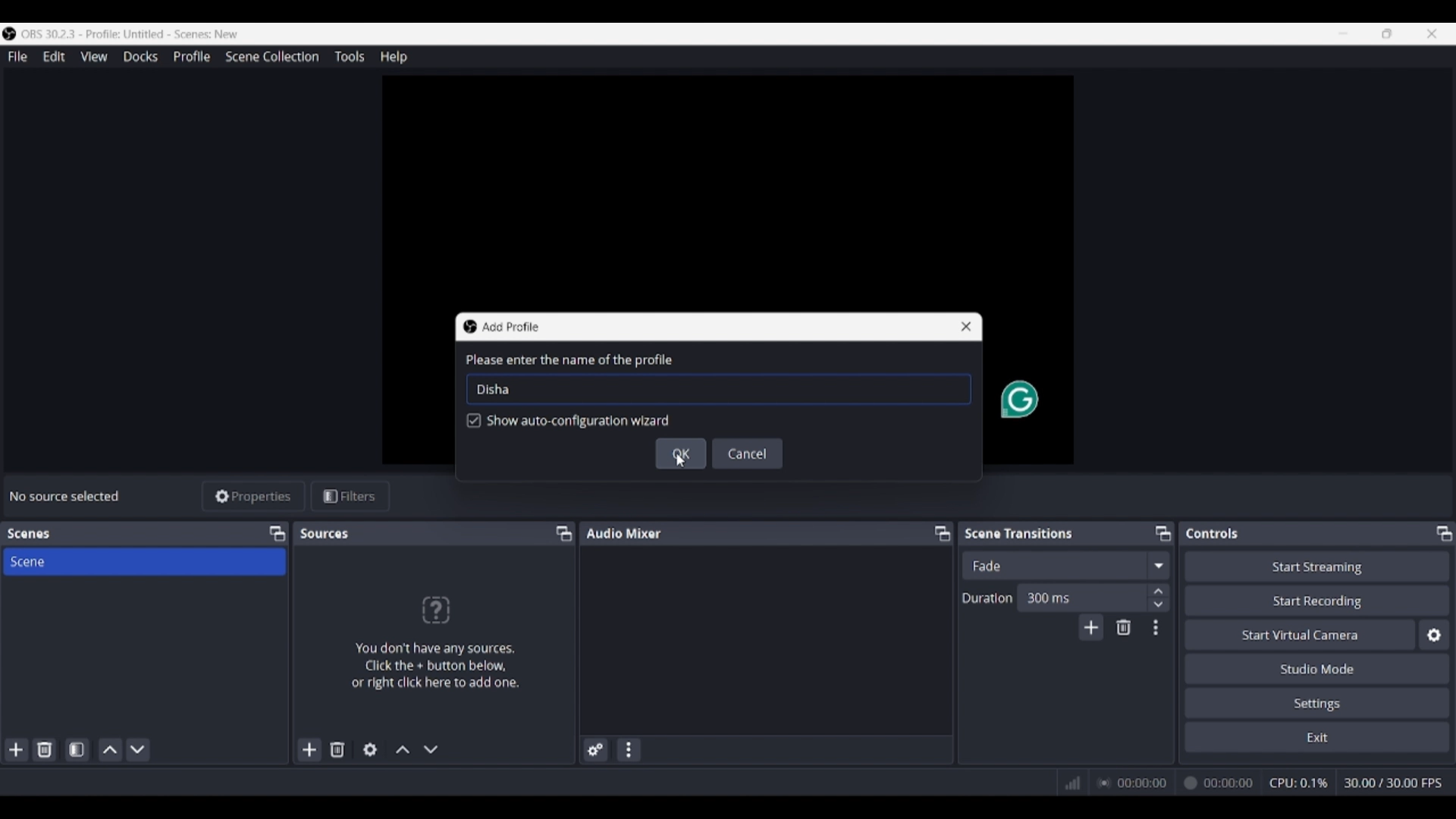  I want to click on Add source, so click(310, 749).